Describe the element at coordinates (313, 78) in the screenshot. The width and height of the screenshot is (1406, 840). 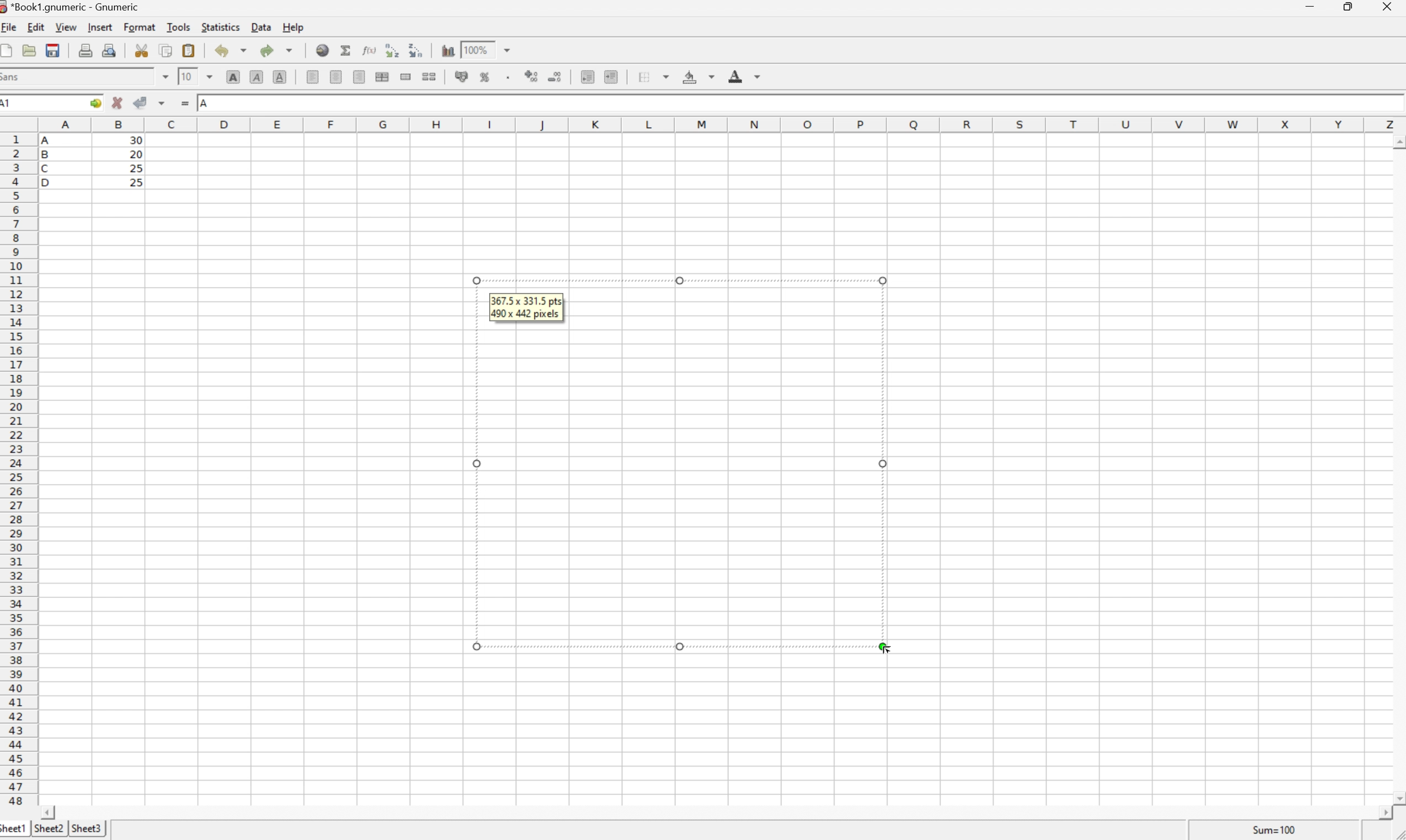
I see `Align Left` at that location.